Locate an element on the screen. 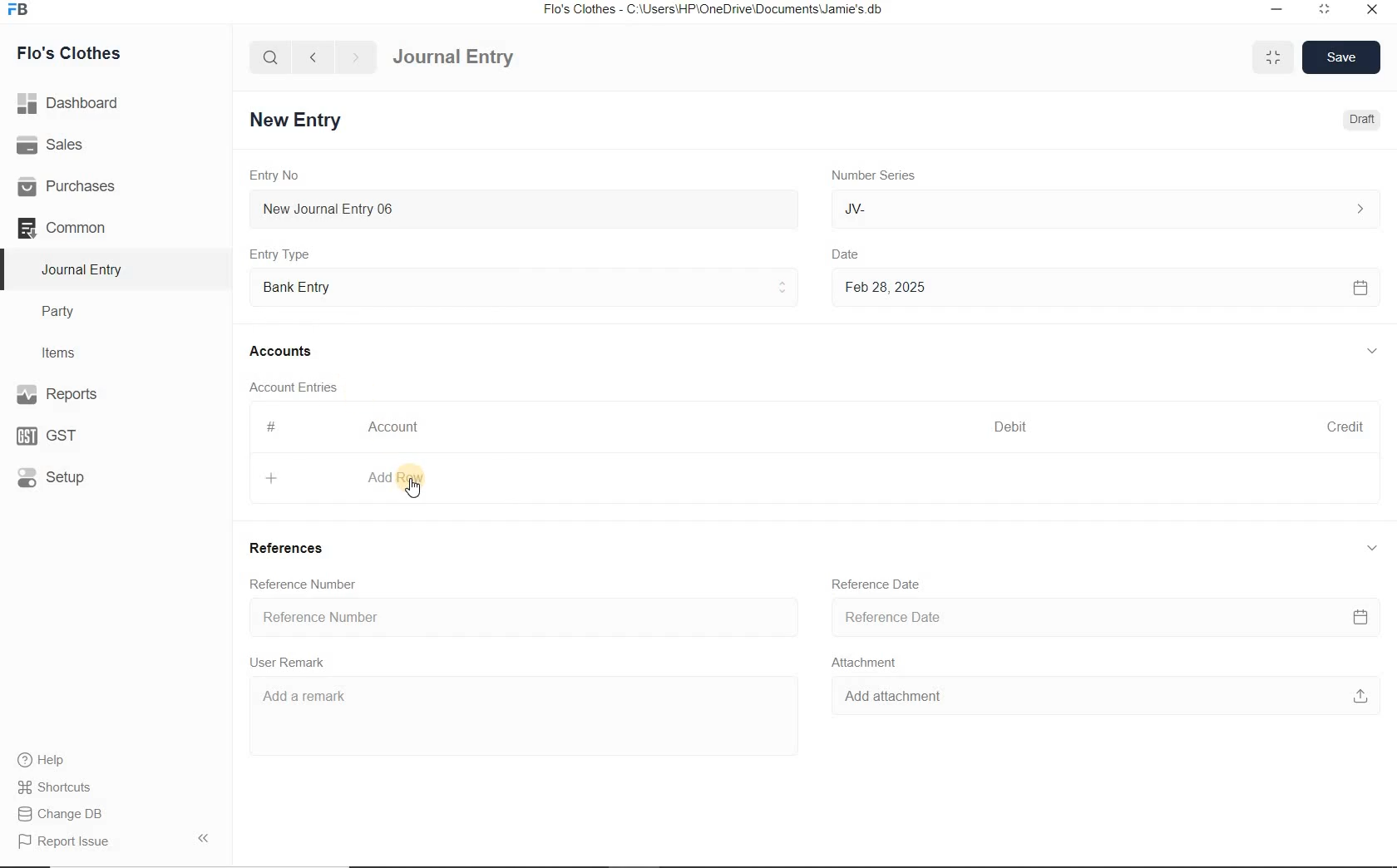 The height and width of the screenshot is (868, 1397). Reports is located at coordinates (83, 396).